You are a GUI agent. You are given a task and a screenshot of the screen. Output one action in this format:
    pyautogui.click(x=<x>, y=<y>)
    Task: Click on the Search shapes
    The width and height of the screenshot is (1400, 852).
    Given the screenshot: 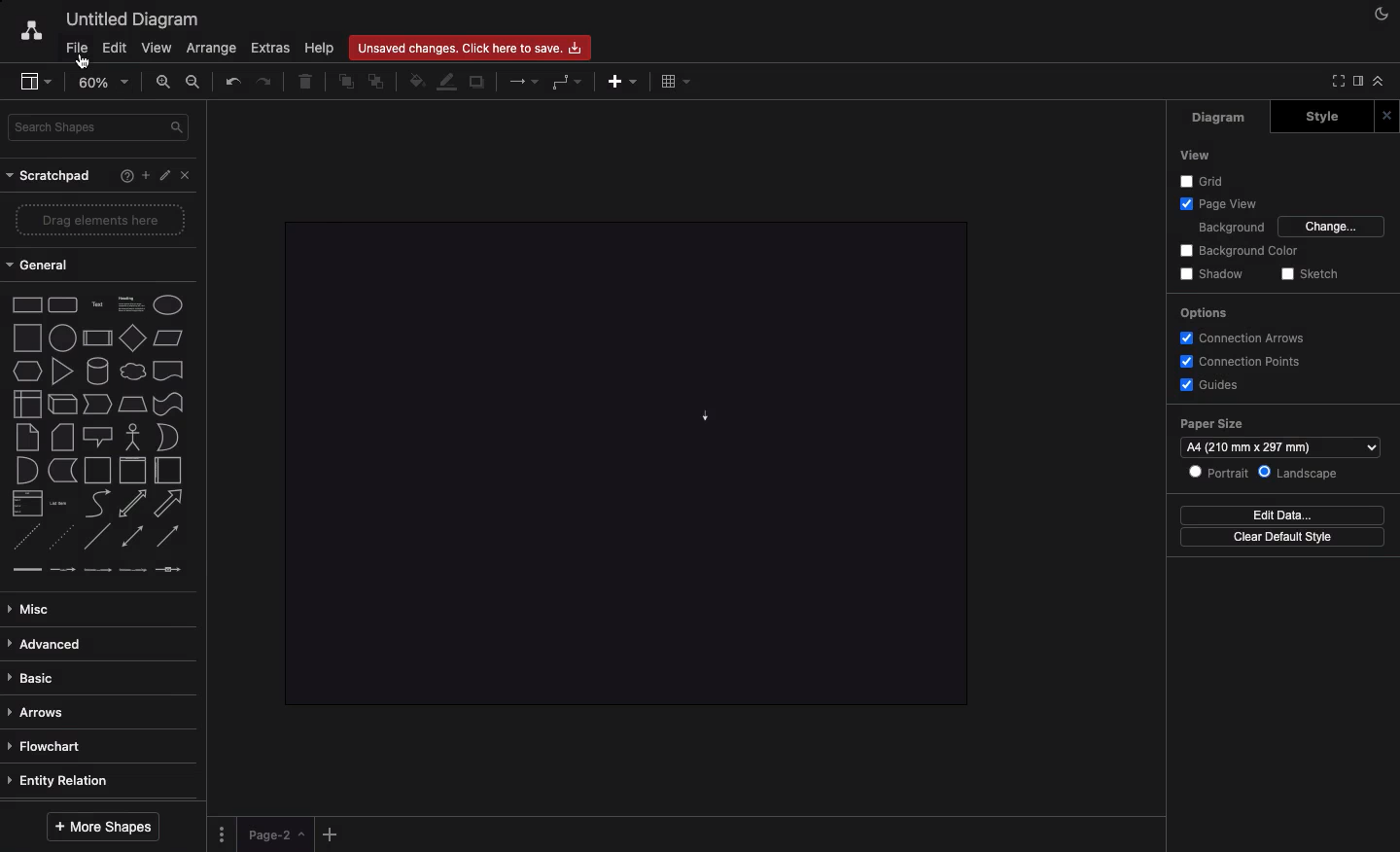 What is the action you would take?
    pyautogui.click(x=98, y=128)
    